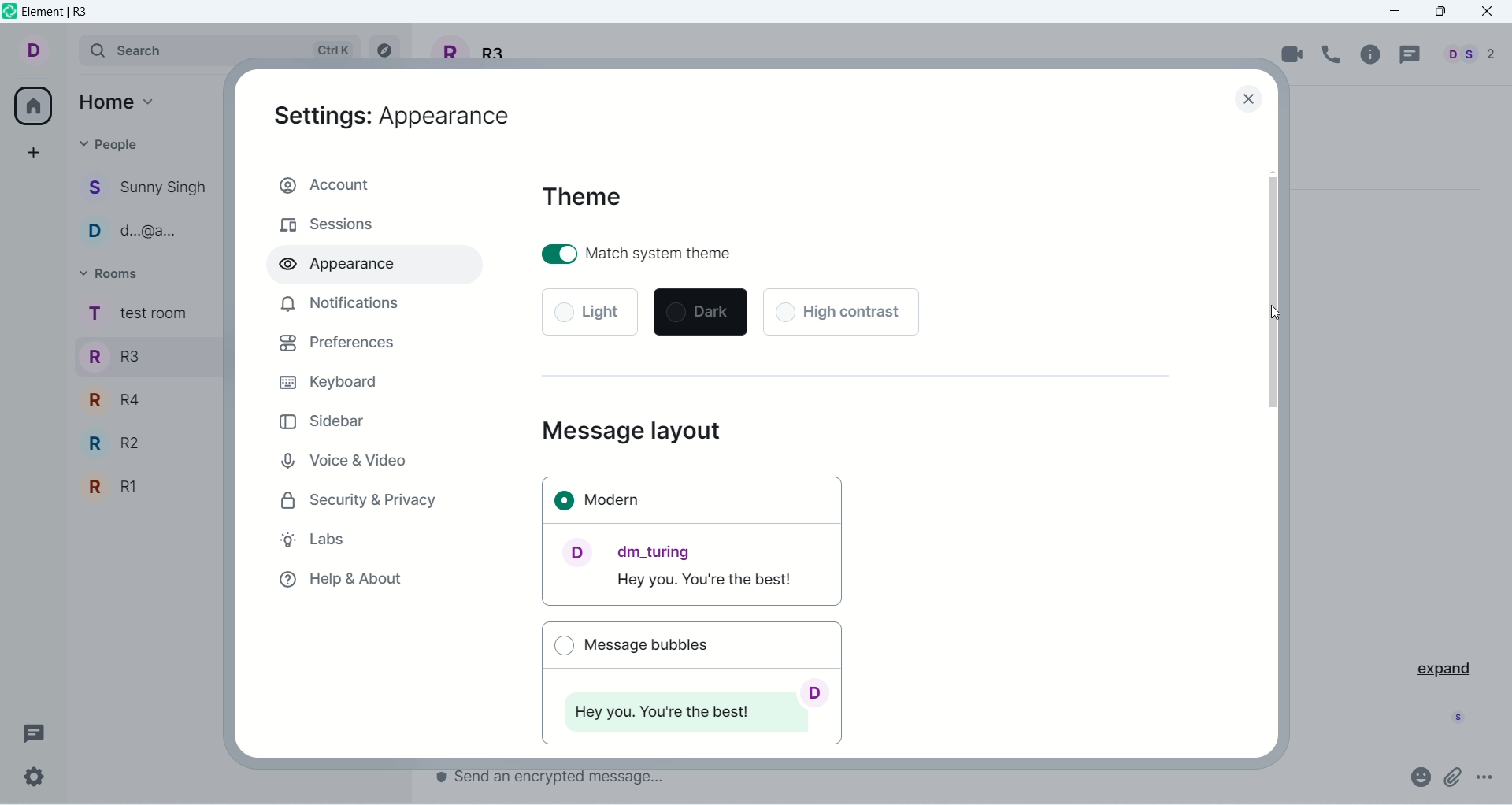 This screenshot has width=1512, height=805. What do you see at coordinates (393, 116) in the screenshot?
I see `appearance` at bounding box center [393, 116].